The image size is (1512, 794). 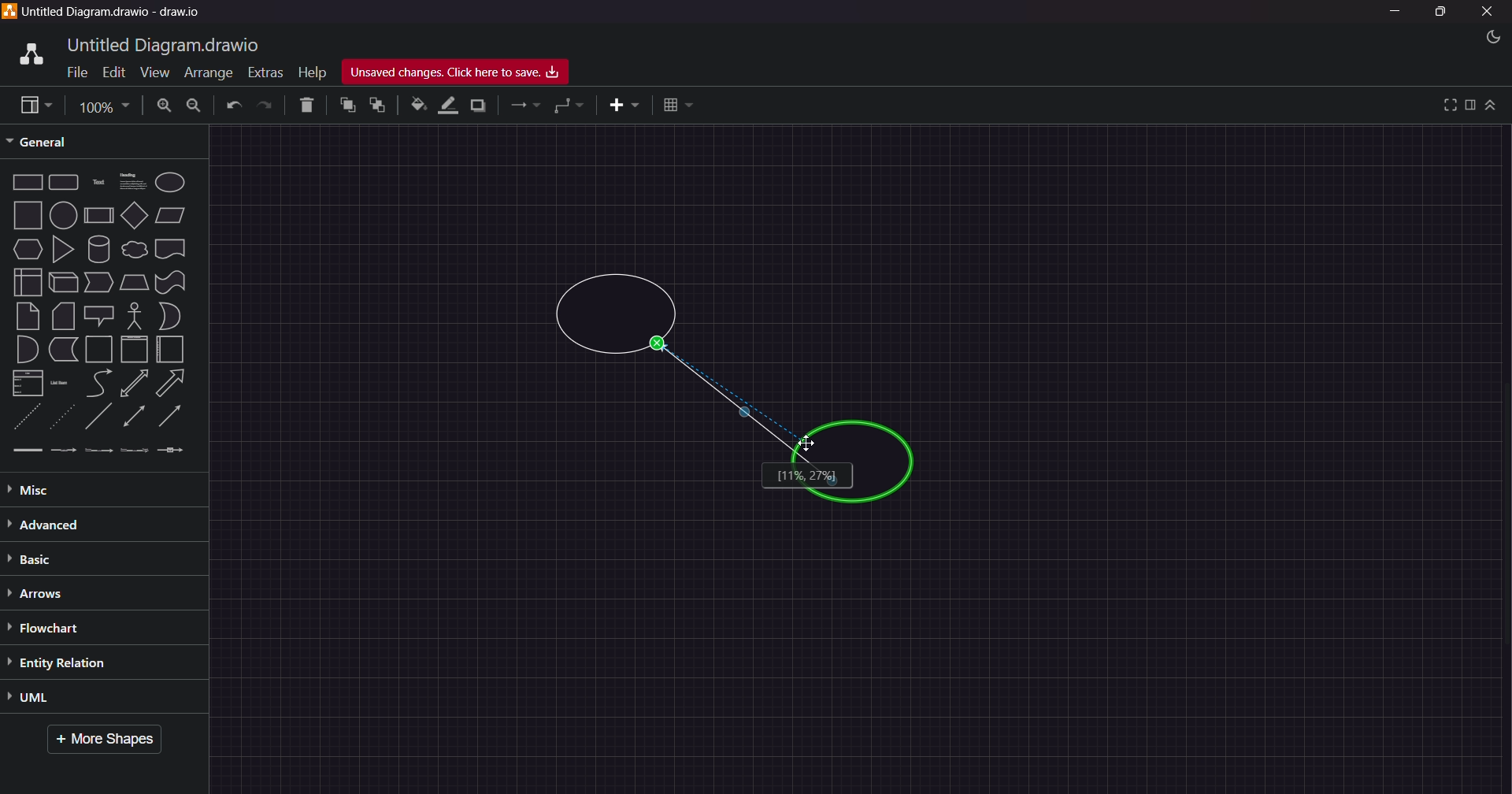 I want to click on view, so click(x=31, y=105).